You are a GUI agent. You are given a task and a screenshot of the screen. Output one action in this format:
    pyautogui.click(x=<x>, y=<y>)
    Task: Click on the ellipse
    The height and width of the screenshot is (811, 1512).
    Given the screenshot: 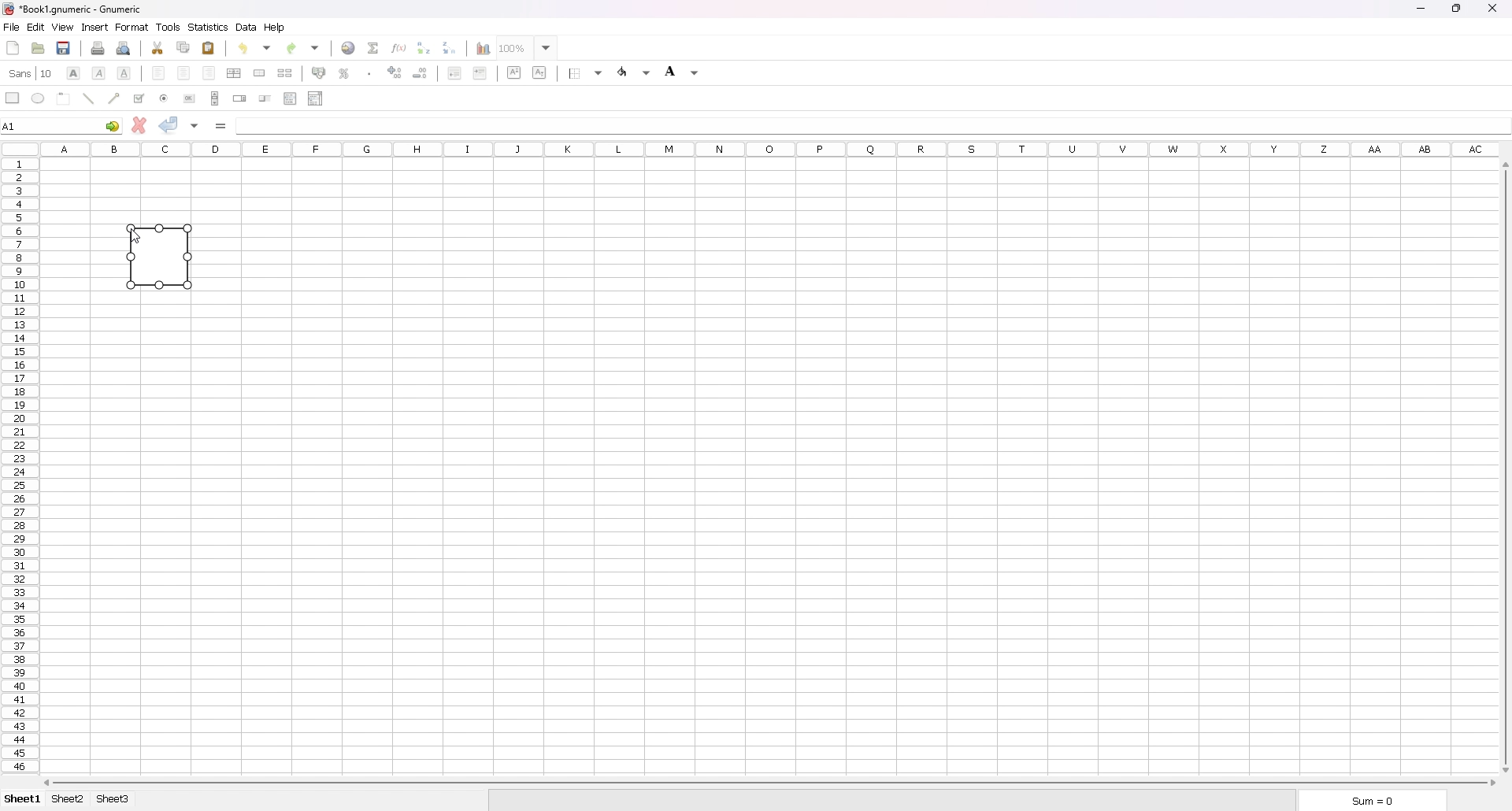 What is the action you would take?
    pyautogui.click(x=39, y=98)
    